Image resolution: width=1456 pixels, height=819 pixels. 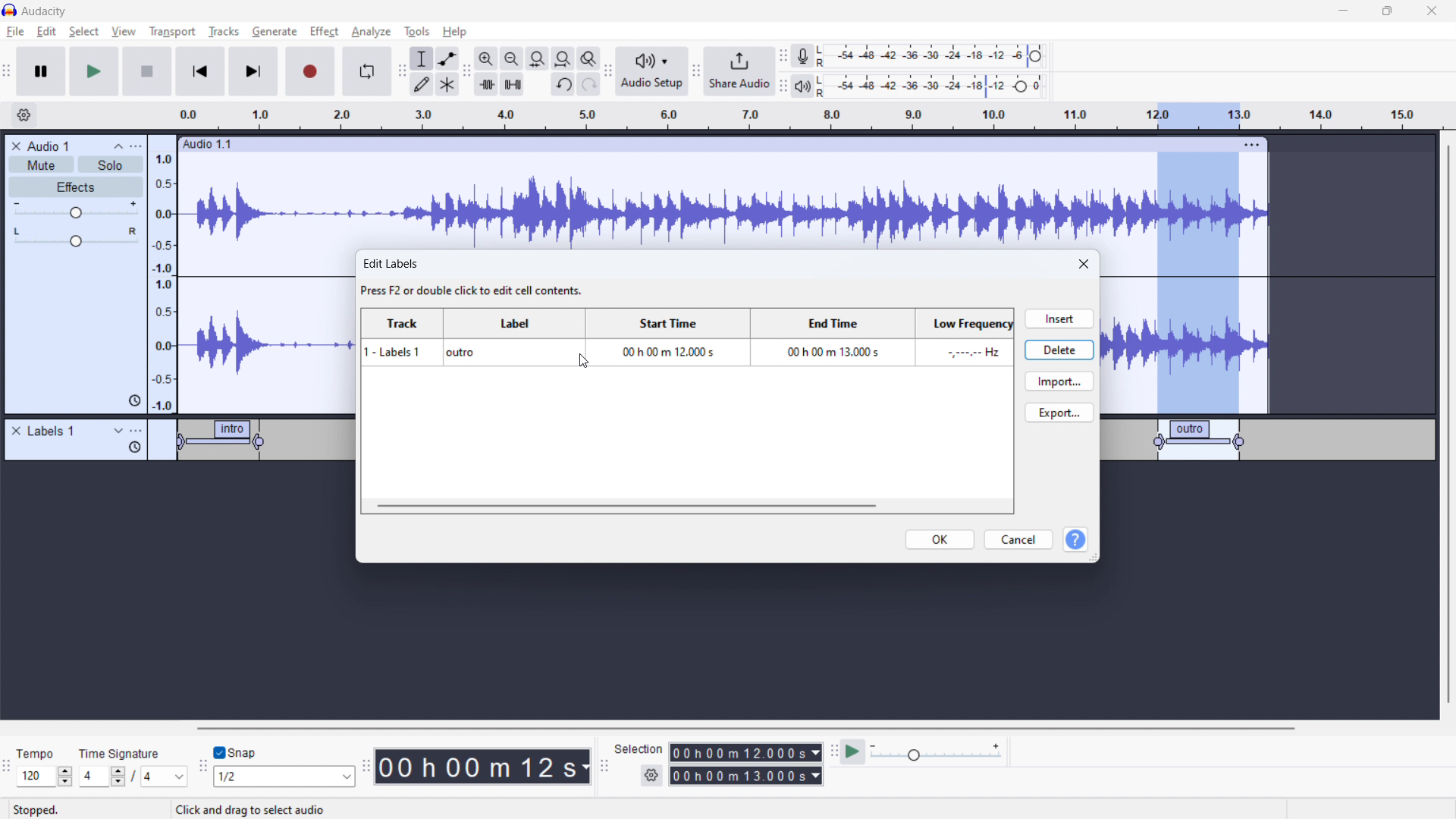 What do you see at coordinates (626, 505) in the screenshot?
I see `horizontal scrollbar` at bounding box center [626, 505].